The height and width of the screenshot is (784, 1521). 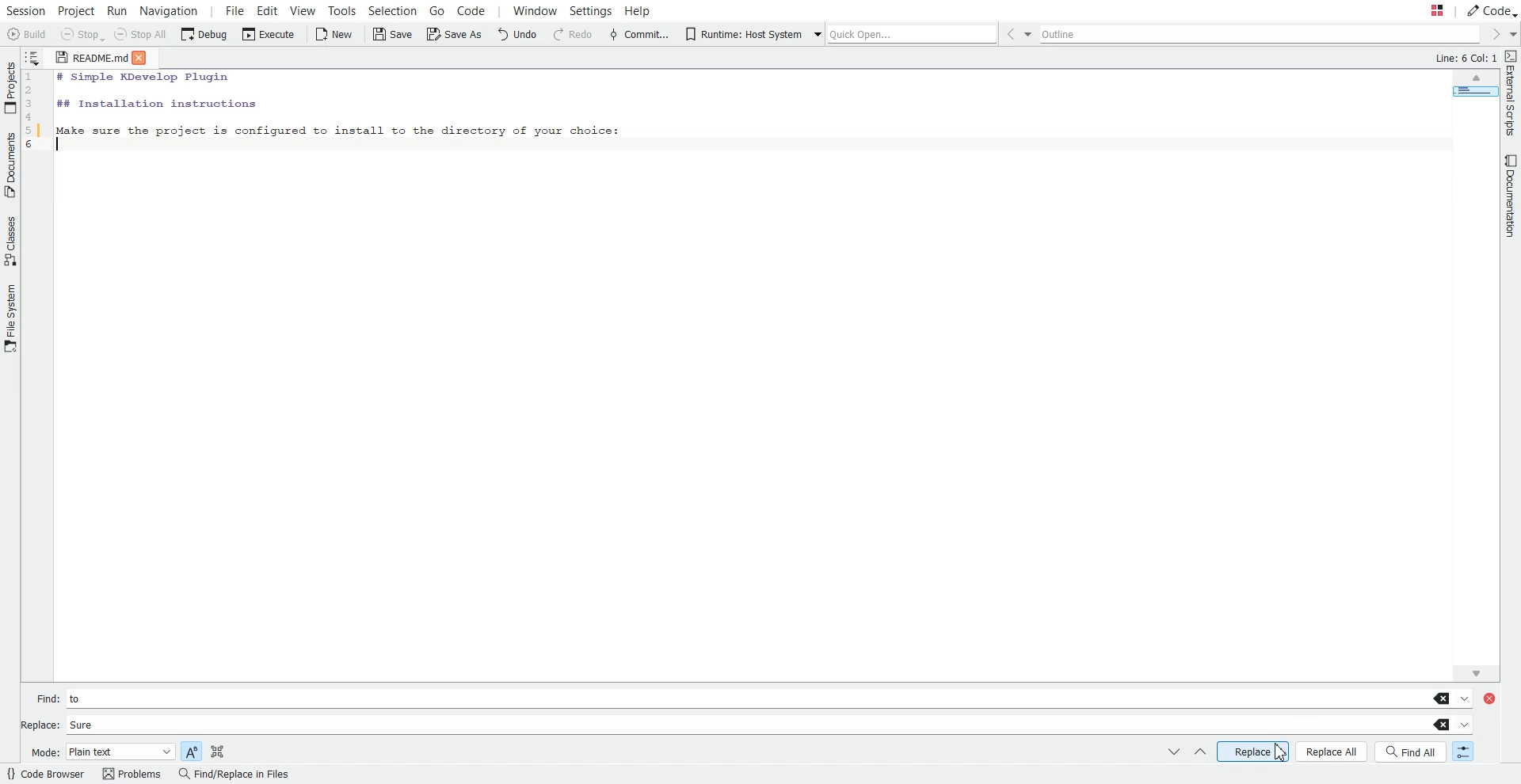 What do you see at coordinates (170, 10) in the screenshot?
I see `Navigation` at bounding box center [170, 10].